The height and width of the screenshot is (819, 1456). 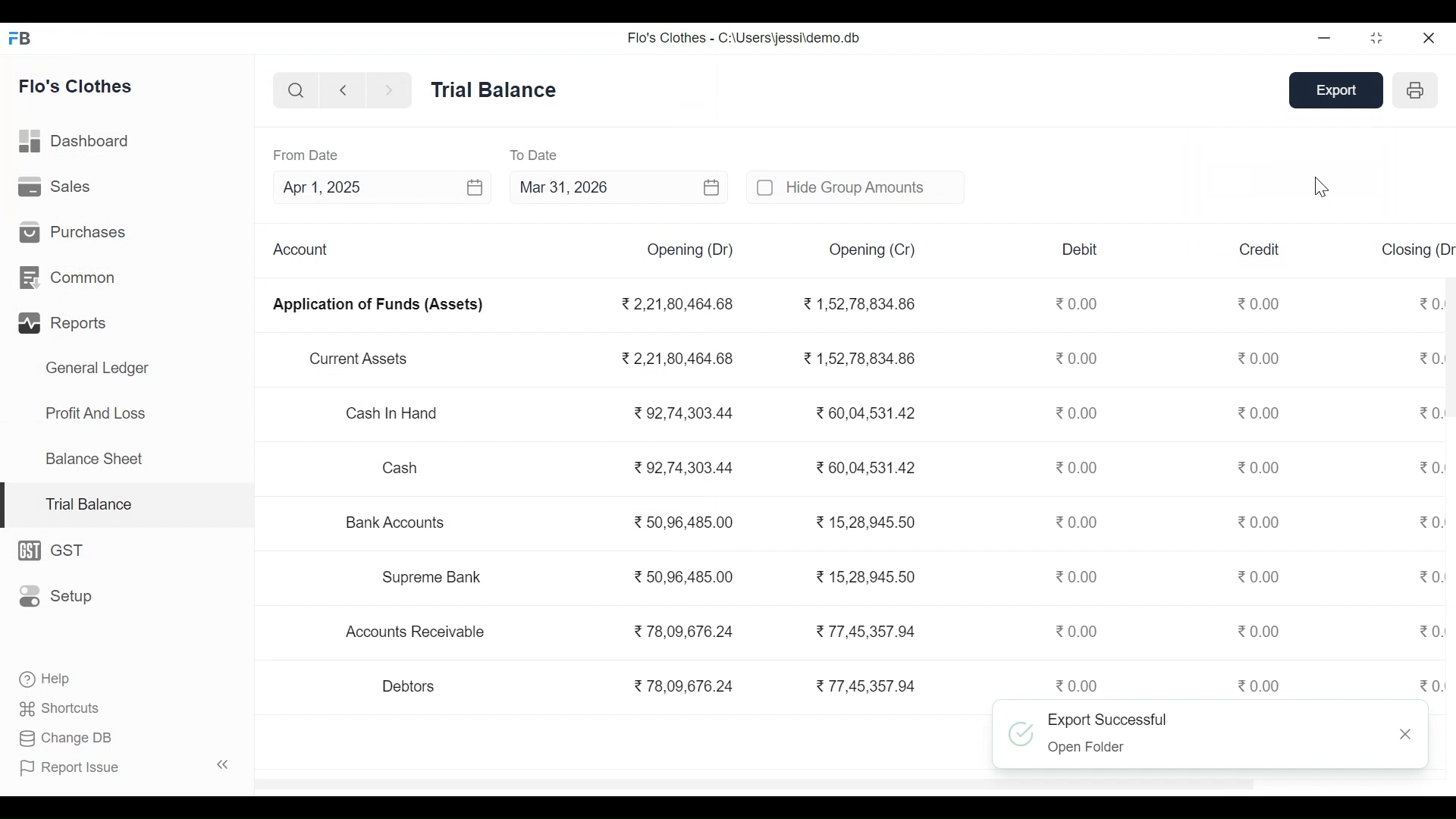 What do you see at coordinates (1427, 37) in the screenshot?
I see `Close` at bounding box center [1427, 37].